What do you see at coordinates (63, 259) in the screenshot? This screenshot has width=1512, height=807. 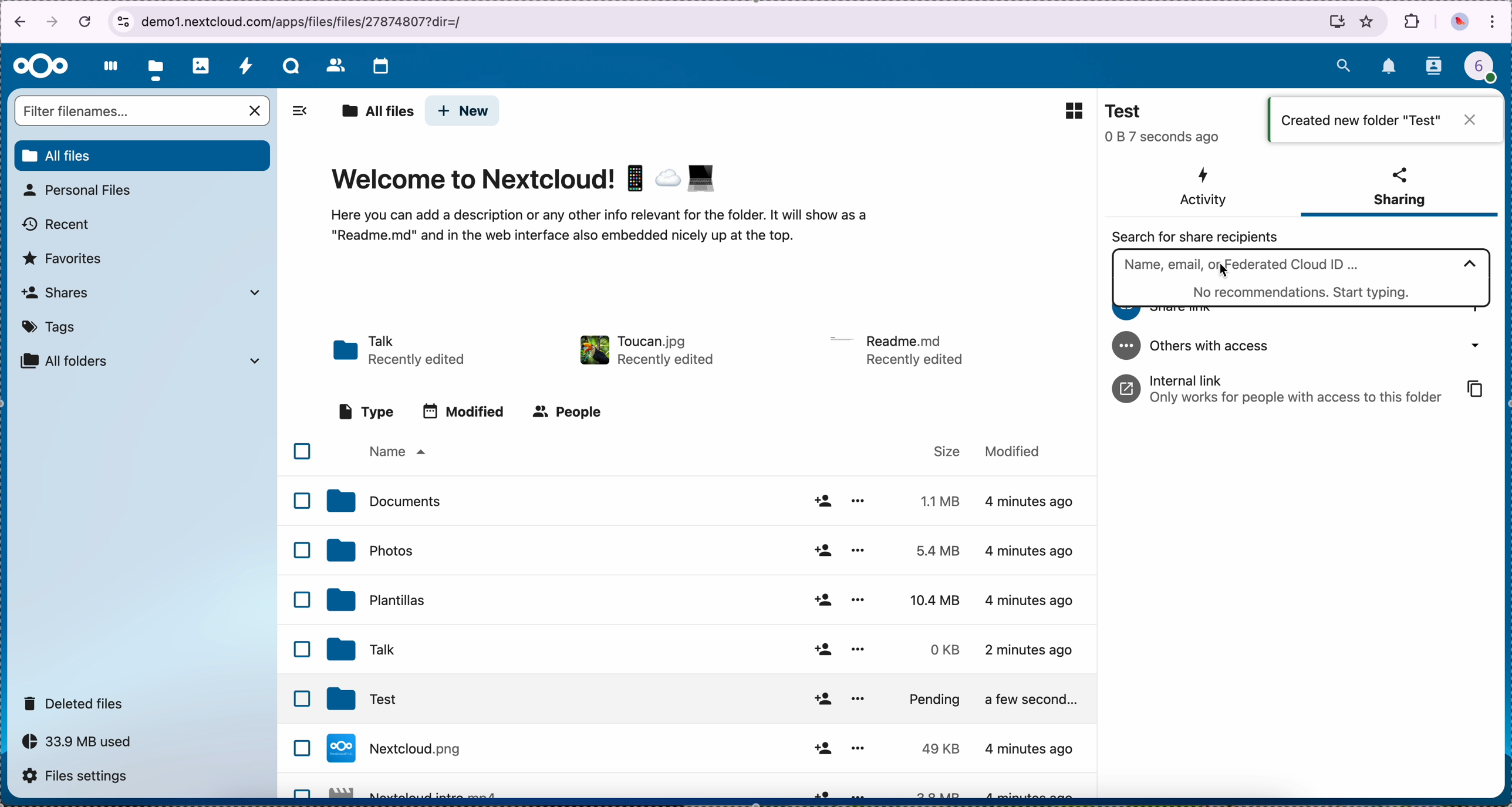 I see `favorites` at bounding box center [63, 259].